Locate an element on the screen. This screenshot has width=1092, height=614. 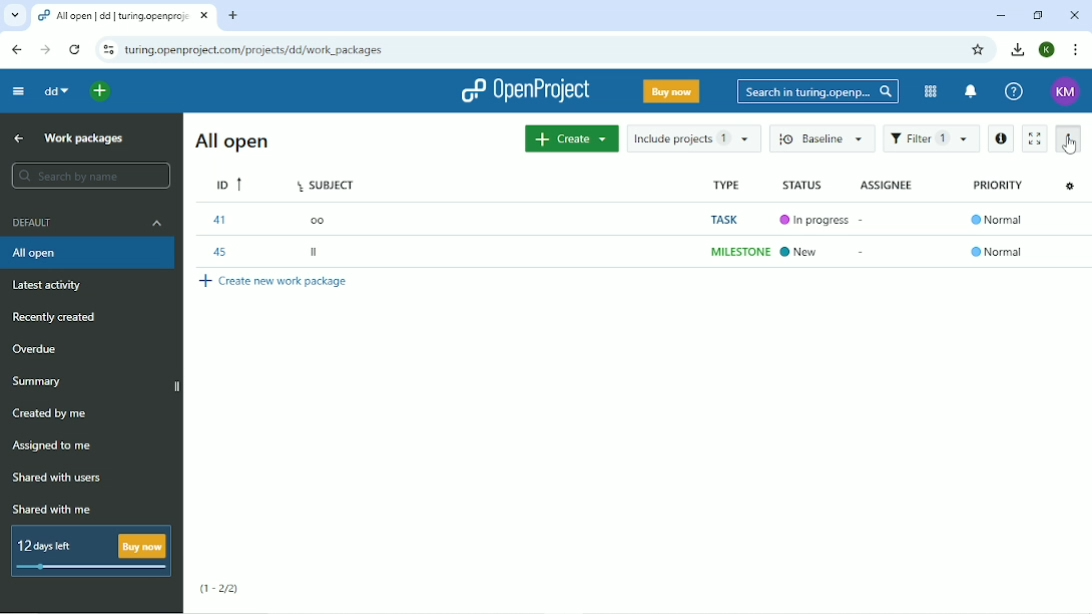
Activate zen mode is located at coordinates (1033, 138).